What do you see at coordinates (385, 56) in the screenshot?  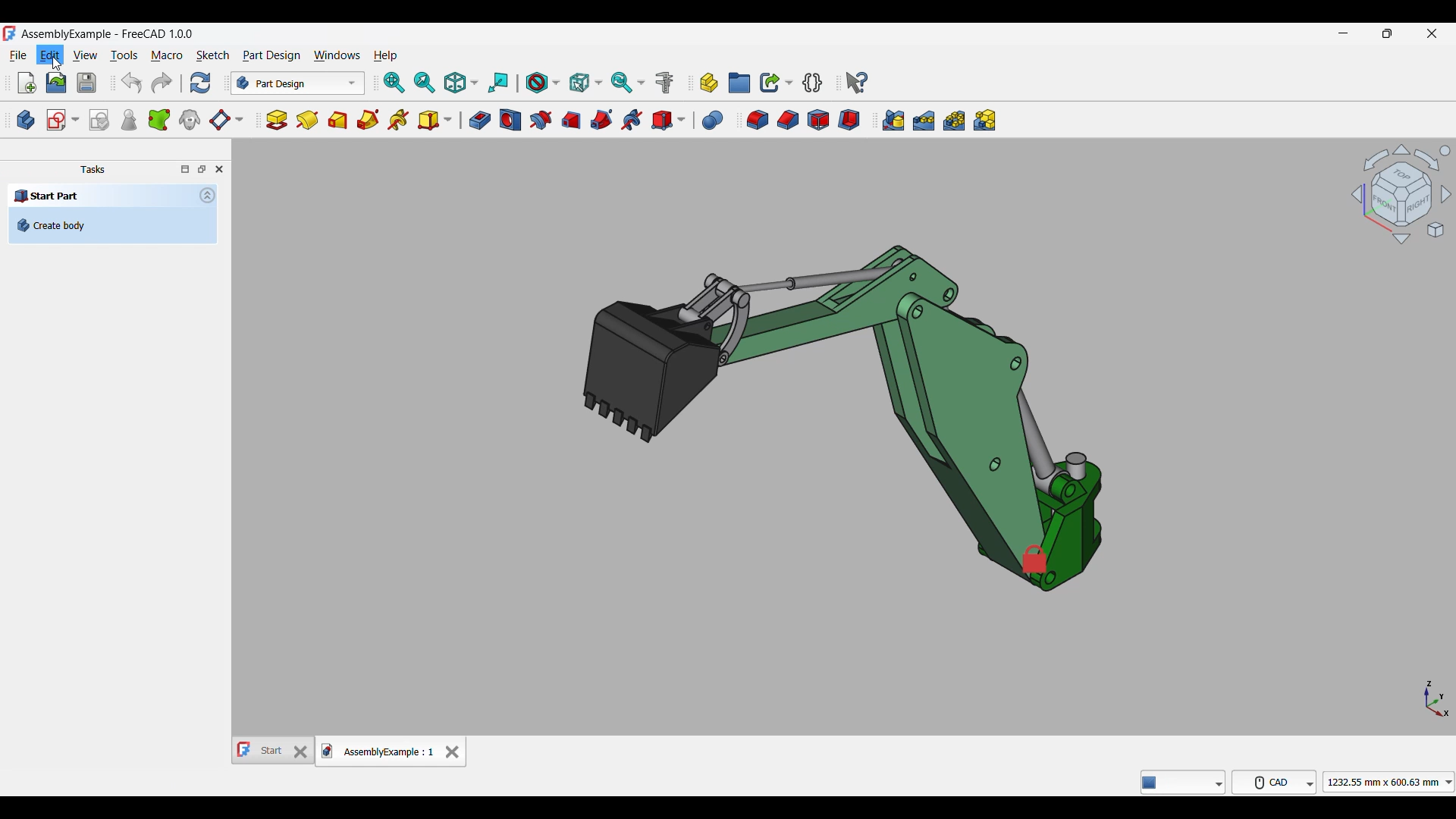 I see `Help menu` at bounding box center [385, 56].